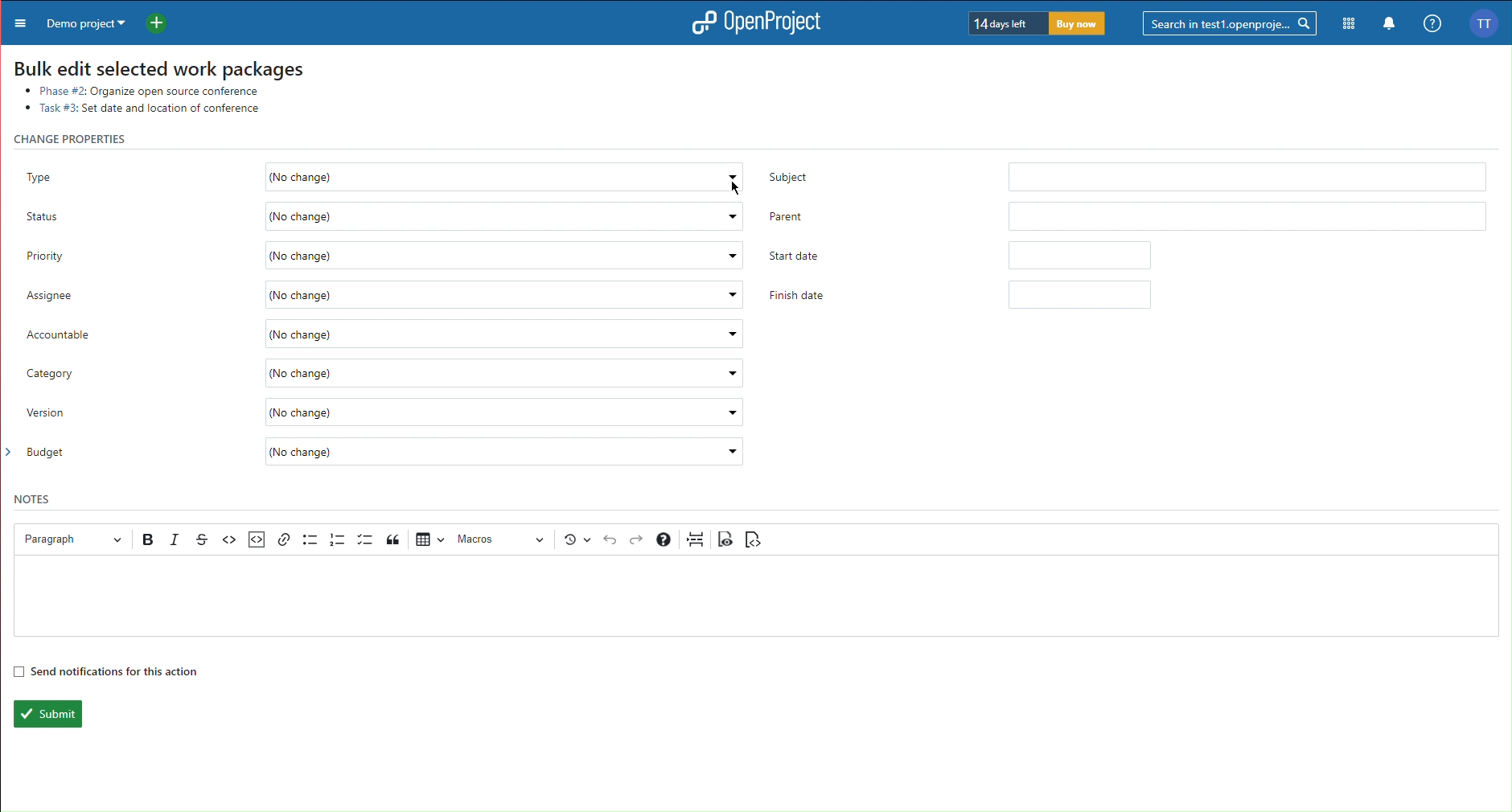 The image size is (1512, 812). What do you see at coordinates (664, 539) in the screenshot?
I see `Help` at bounding box center [664, 539].